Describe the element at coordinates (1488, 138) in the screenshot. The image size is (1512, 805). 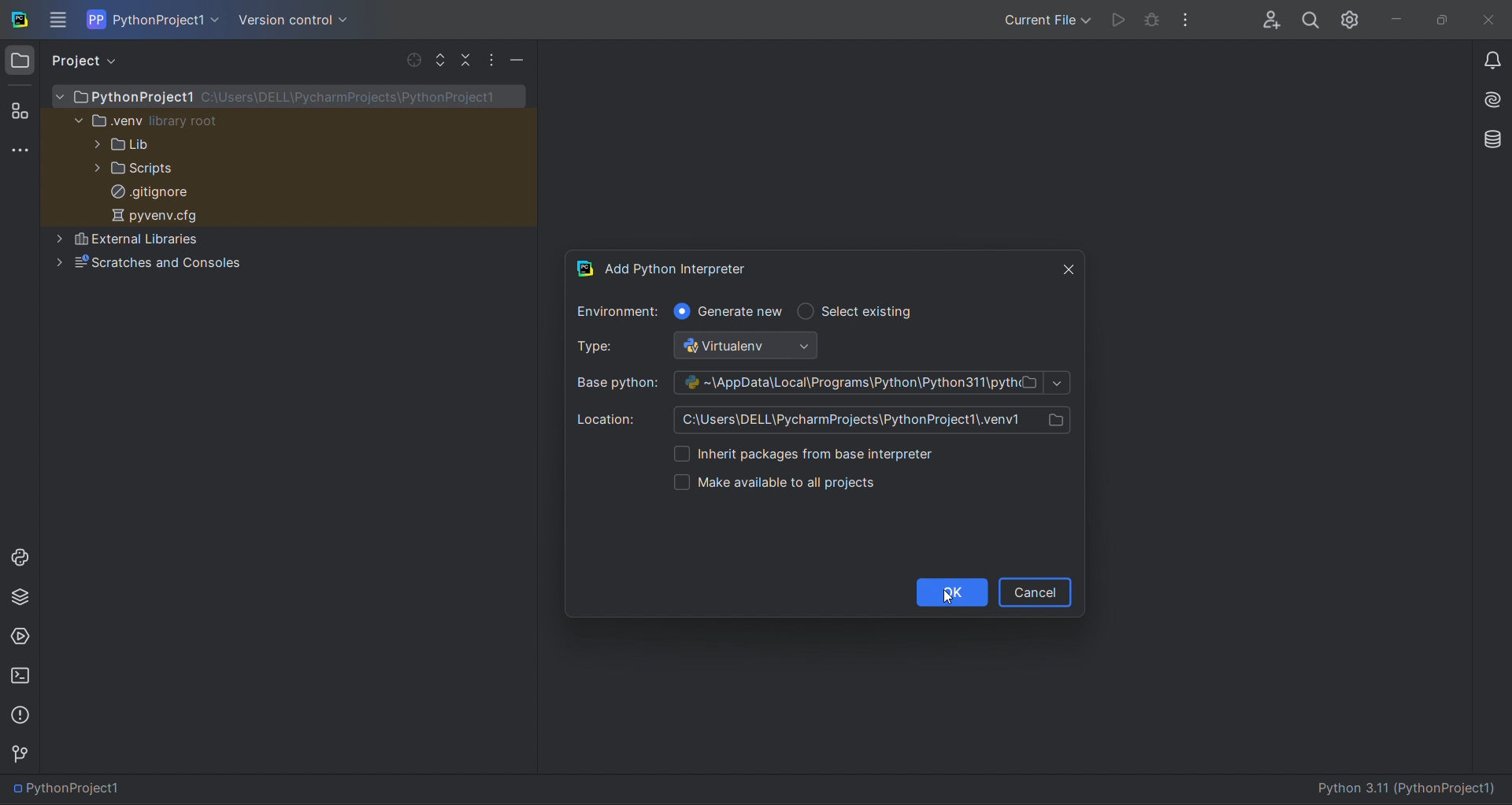
I see `database` at that location.